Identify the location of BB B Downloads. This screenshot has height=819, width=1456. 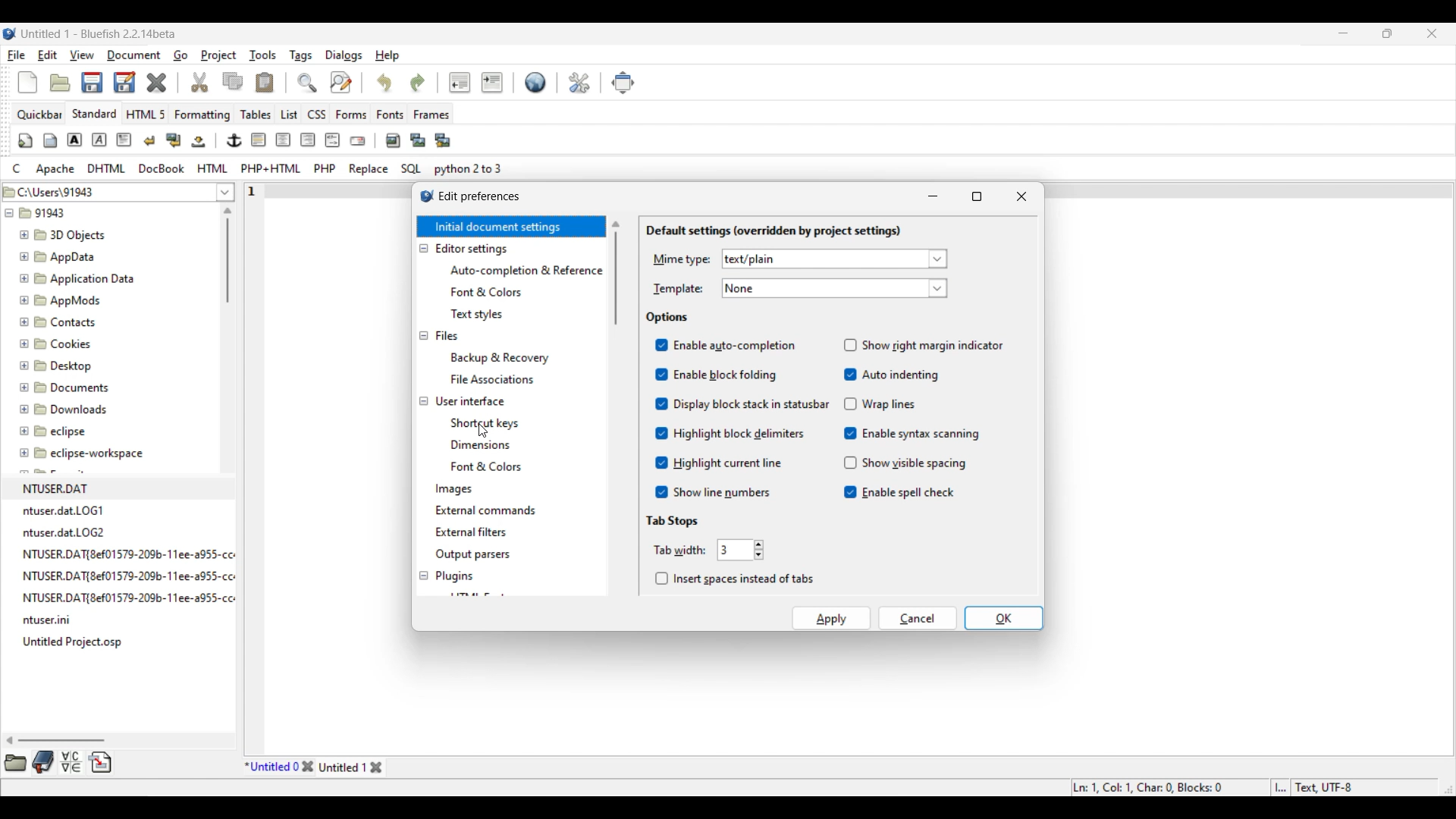
(60, 406).